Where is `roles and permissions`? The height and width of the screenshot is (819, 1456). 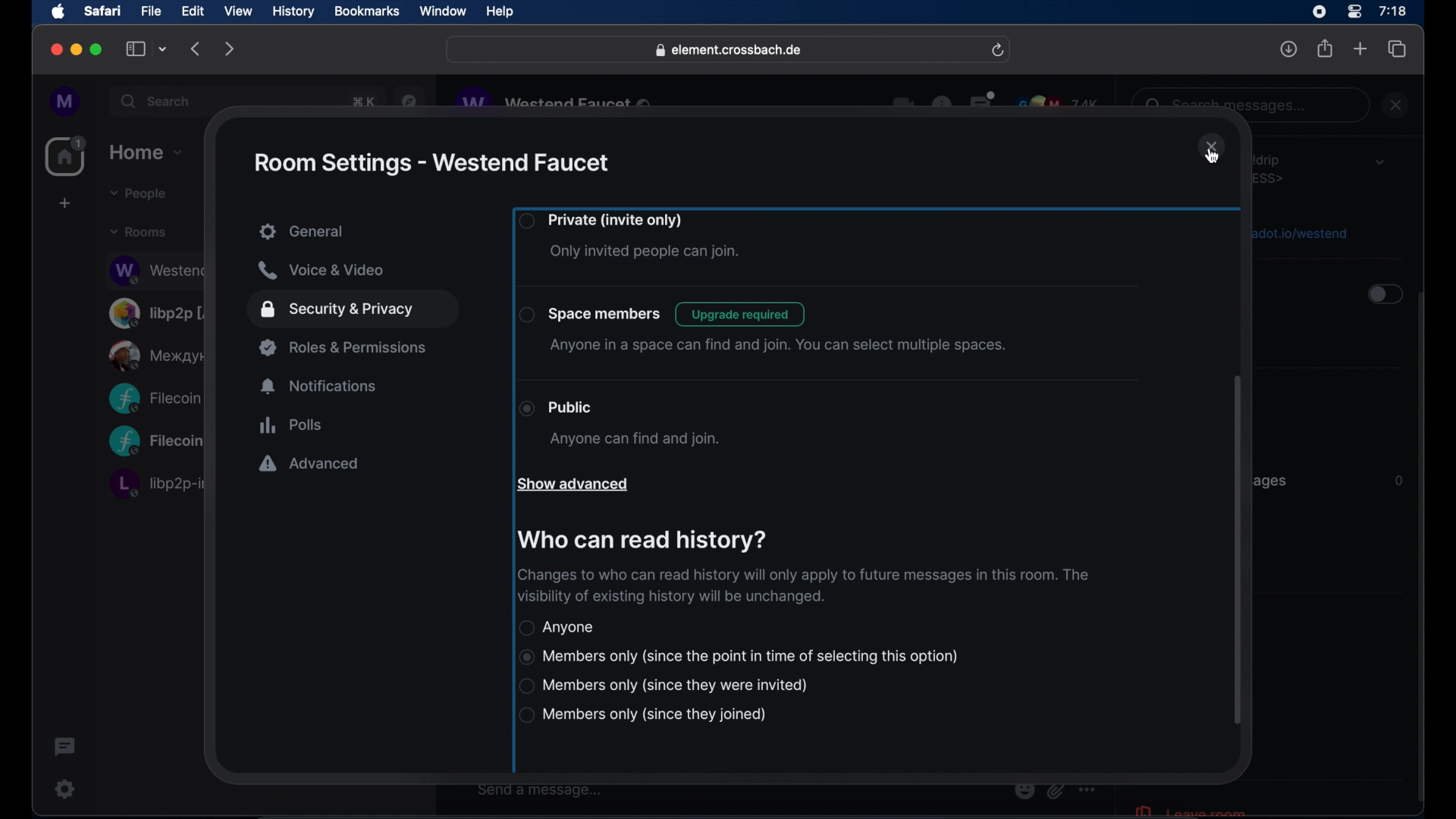 roles and permissions is located at coordinates (345, 347).